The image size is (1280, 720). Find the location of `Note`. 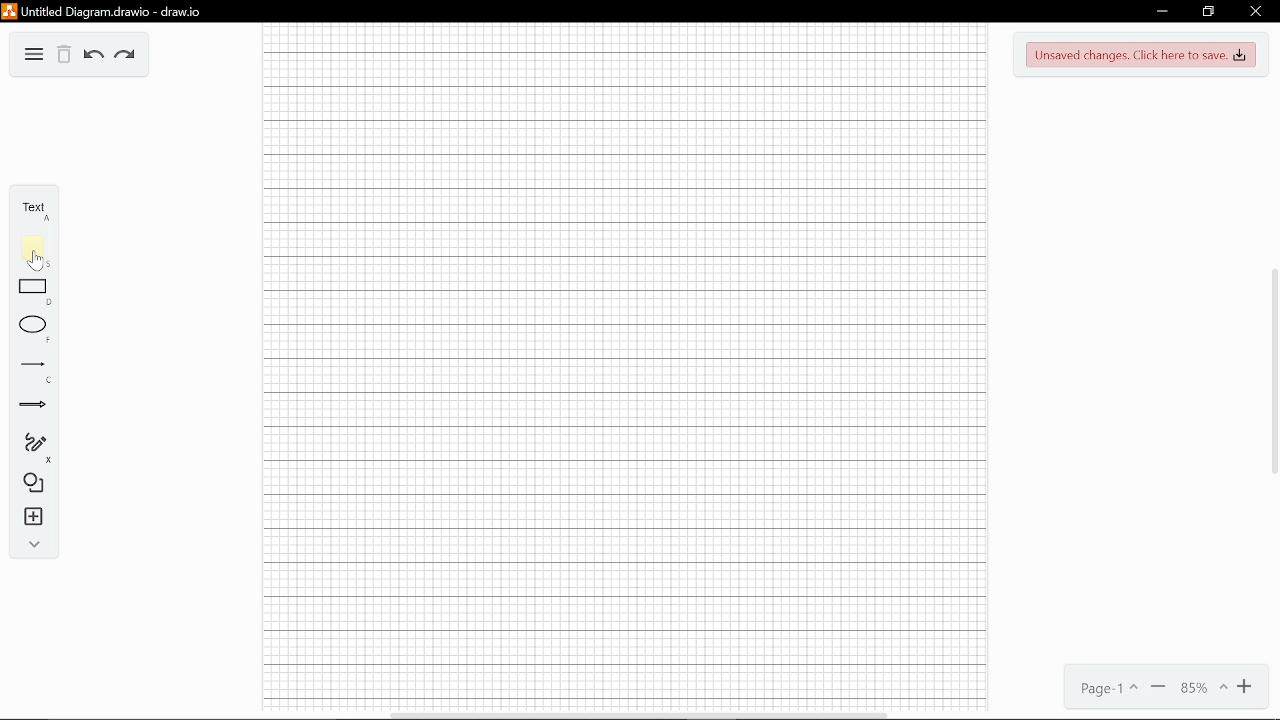

Note is located at coordinates (28, 246).